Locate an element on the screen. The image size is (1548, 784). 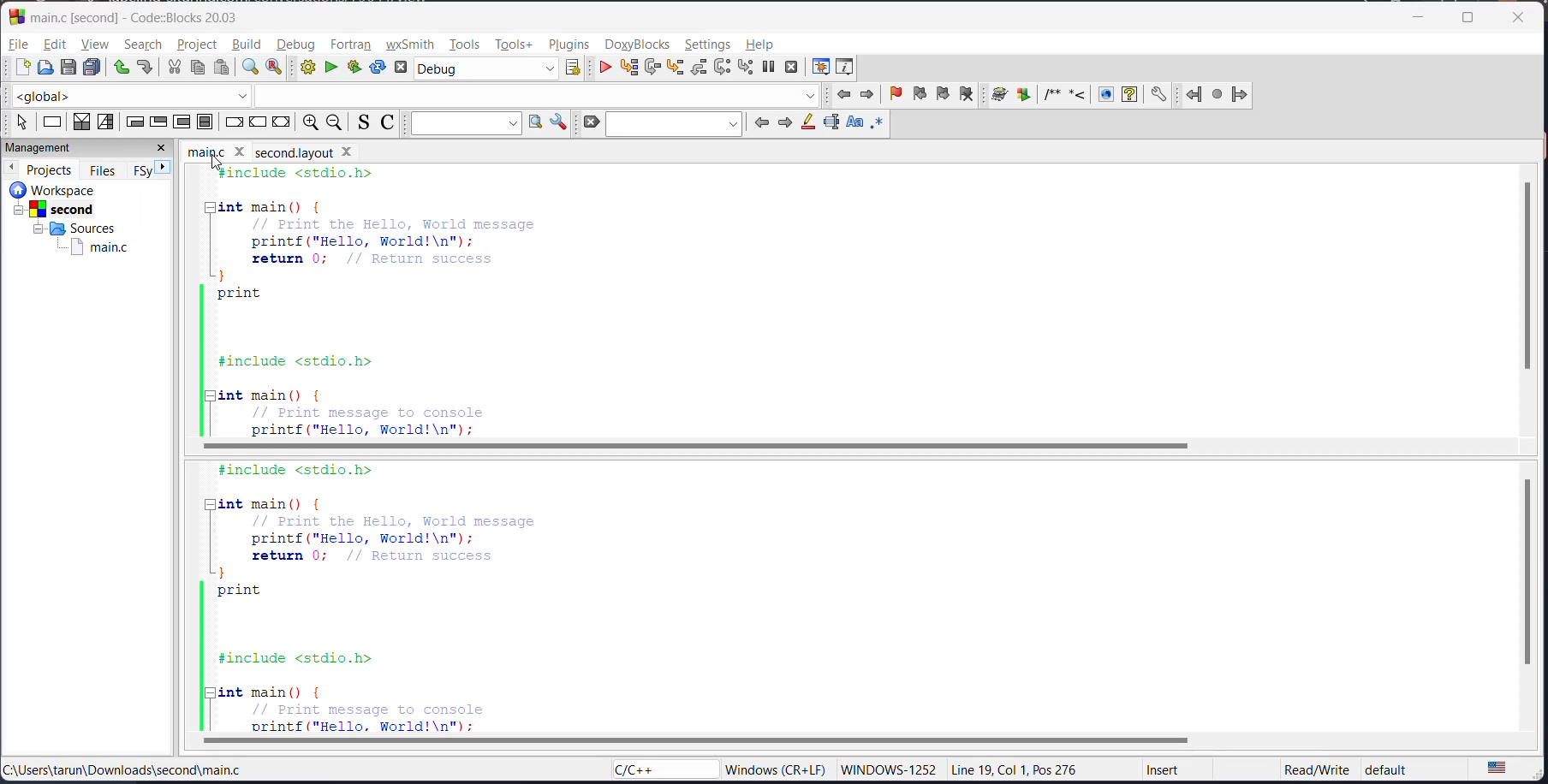
exit condition loop is located at coordinates (157, 122).